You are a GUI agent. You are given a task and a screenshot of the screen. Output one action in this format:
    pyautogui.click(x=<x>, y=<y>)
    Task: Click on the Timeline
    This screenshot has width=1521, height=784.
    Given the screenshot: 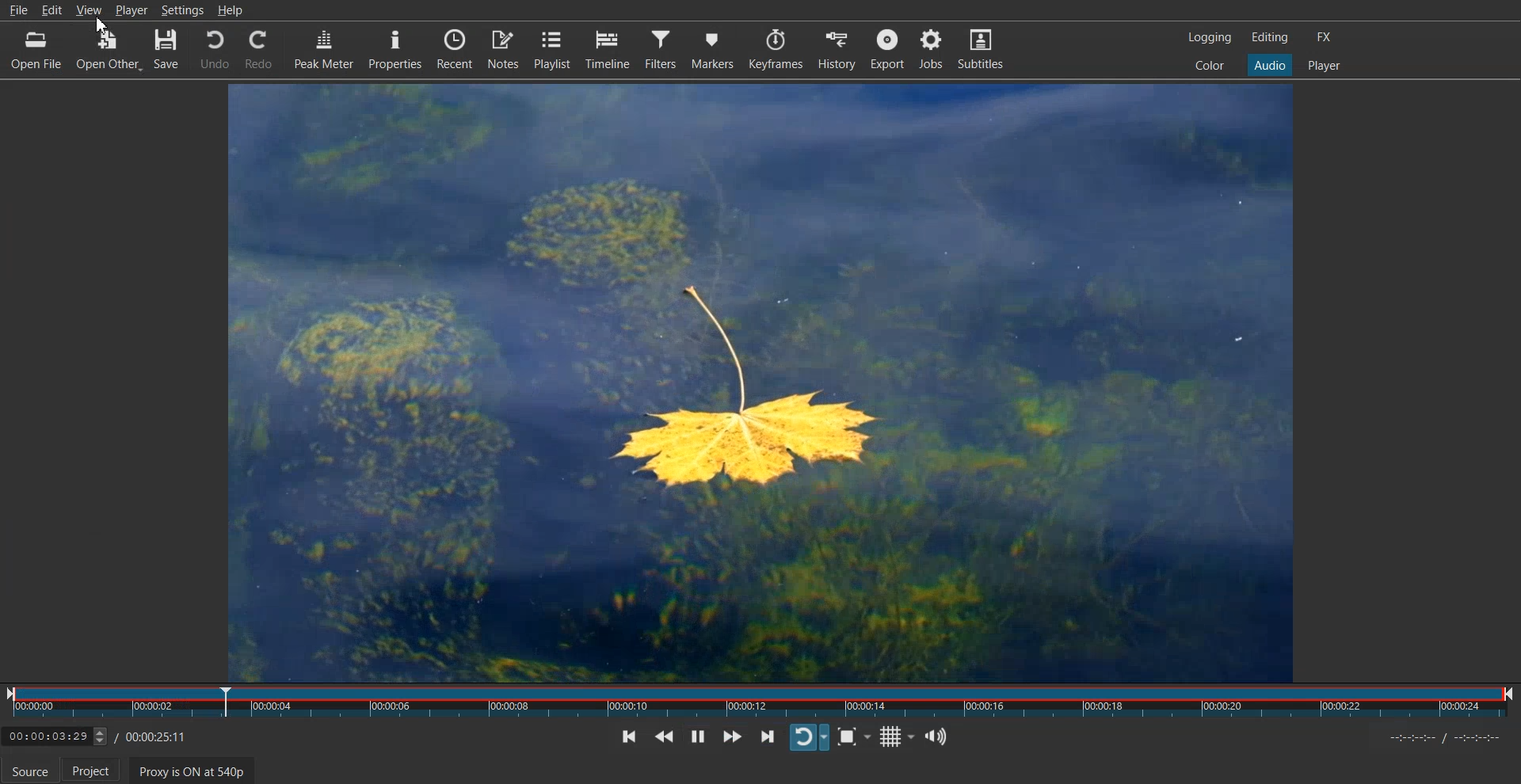 What is the action you would take?
    pyautogui.click(x=608, y=48)
    